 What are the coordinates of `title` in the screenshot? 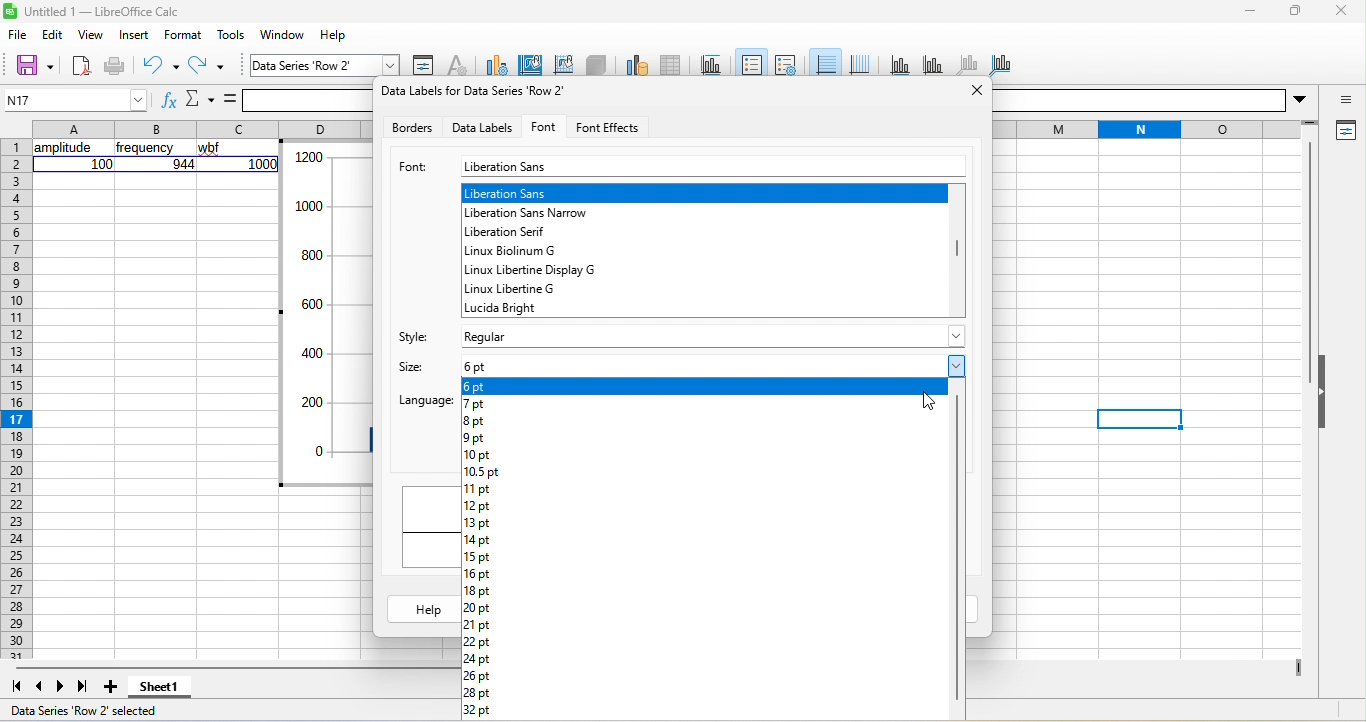 It's located at (711, 64).